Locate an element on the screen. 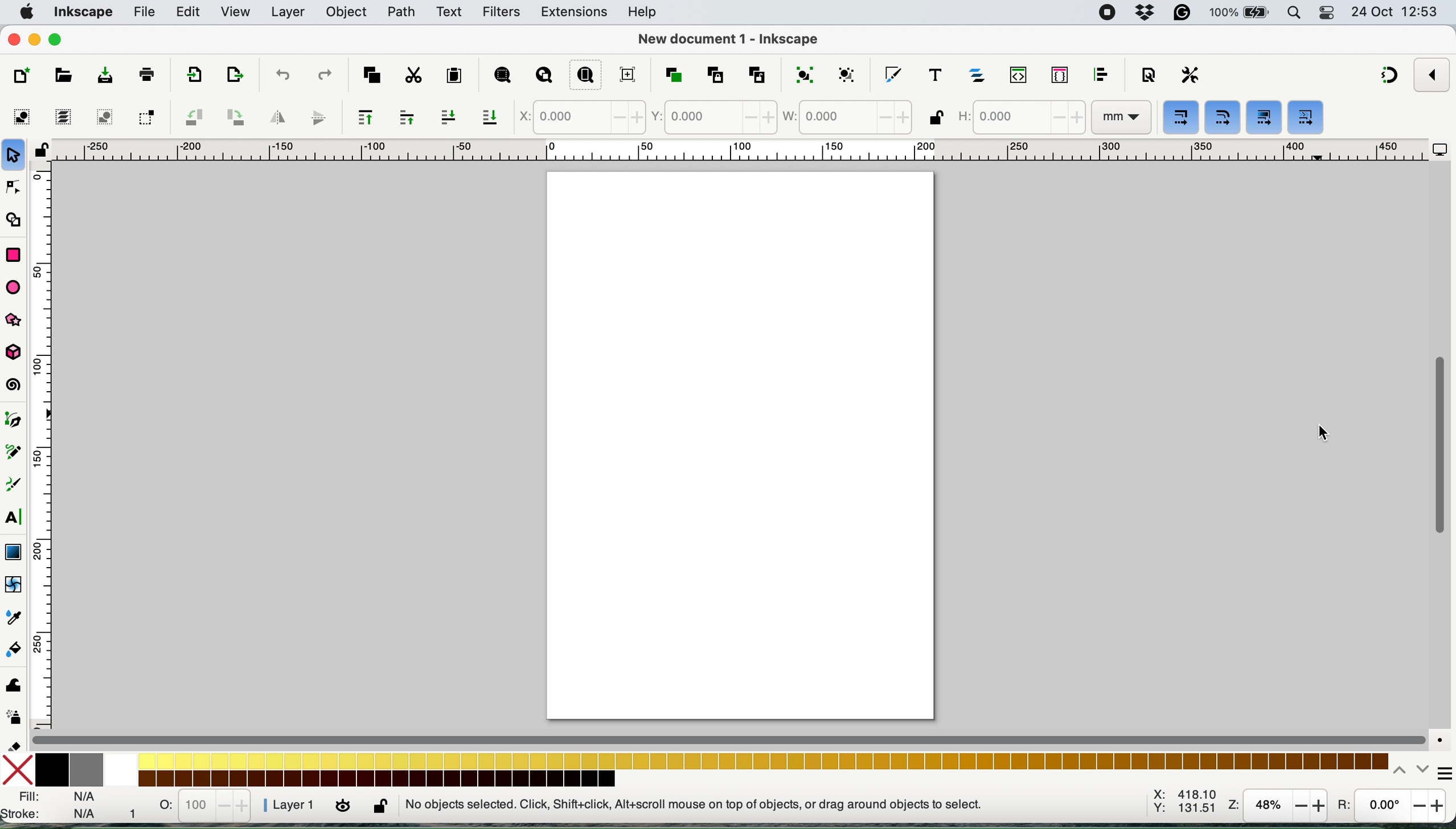 Image resolution: width=1456 pixels, height=829 pixels. New document 1 - Inkscape is located at coordinates (734, 40).